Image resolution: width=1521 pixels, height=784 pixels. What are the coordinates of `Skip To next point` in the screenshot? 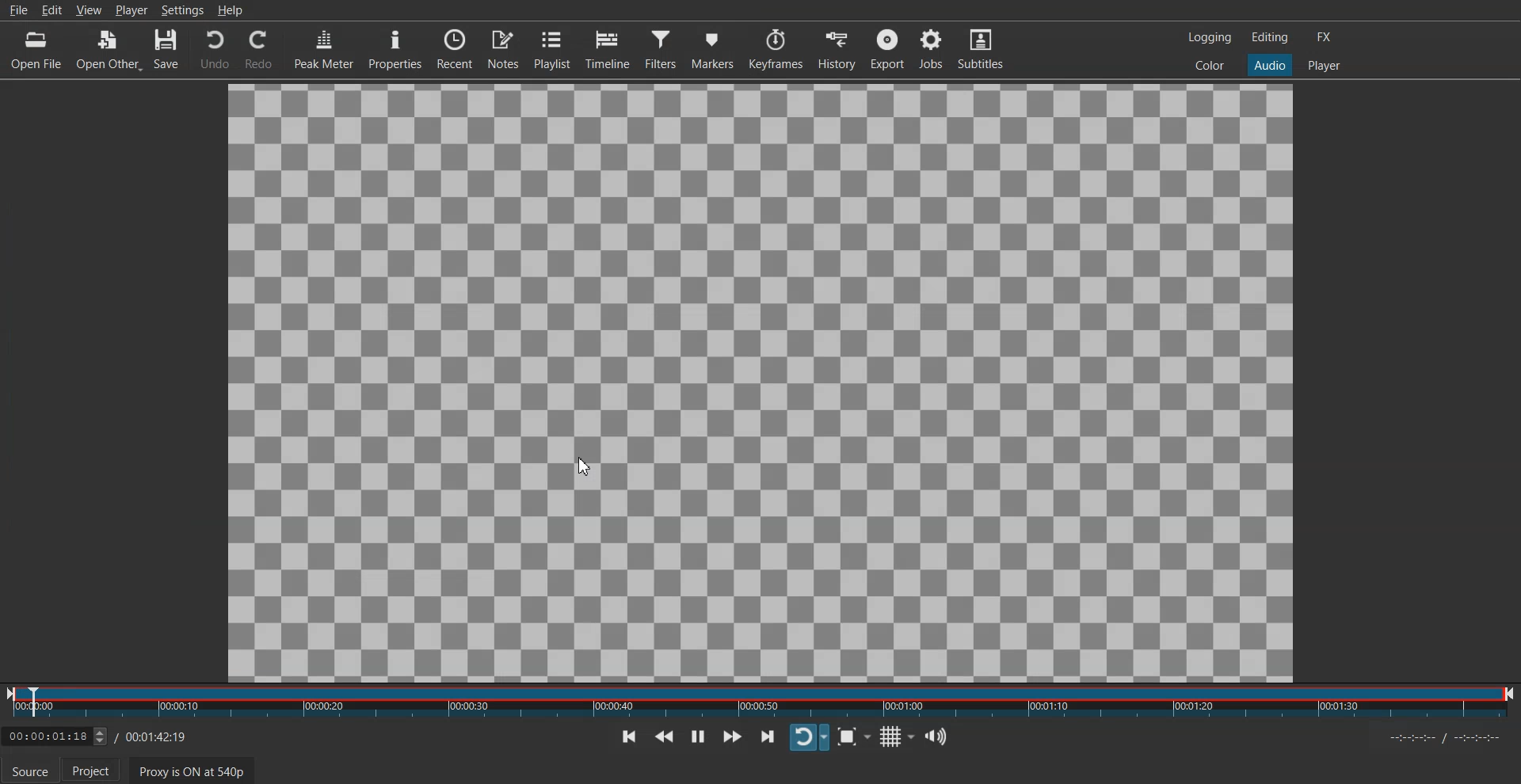 It's located at (768, 736).